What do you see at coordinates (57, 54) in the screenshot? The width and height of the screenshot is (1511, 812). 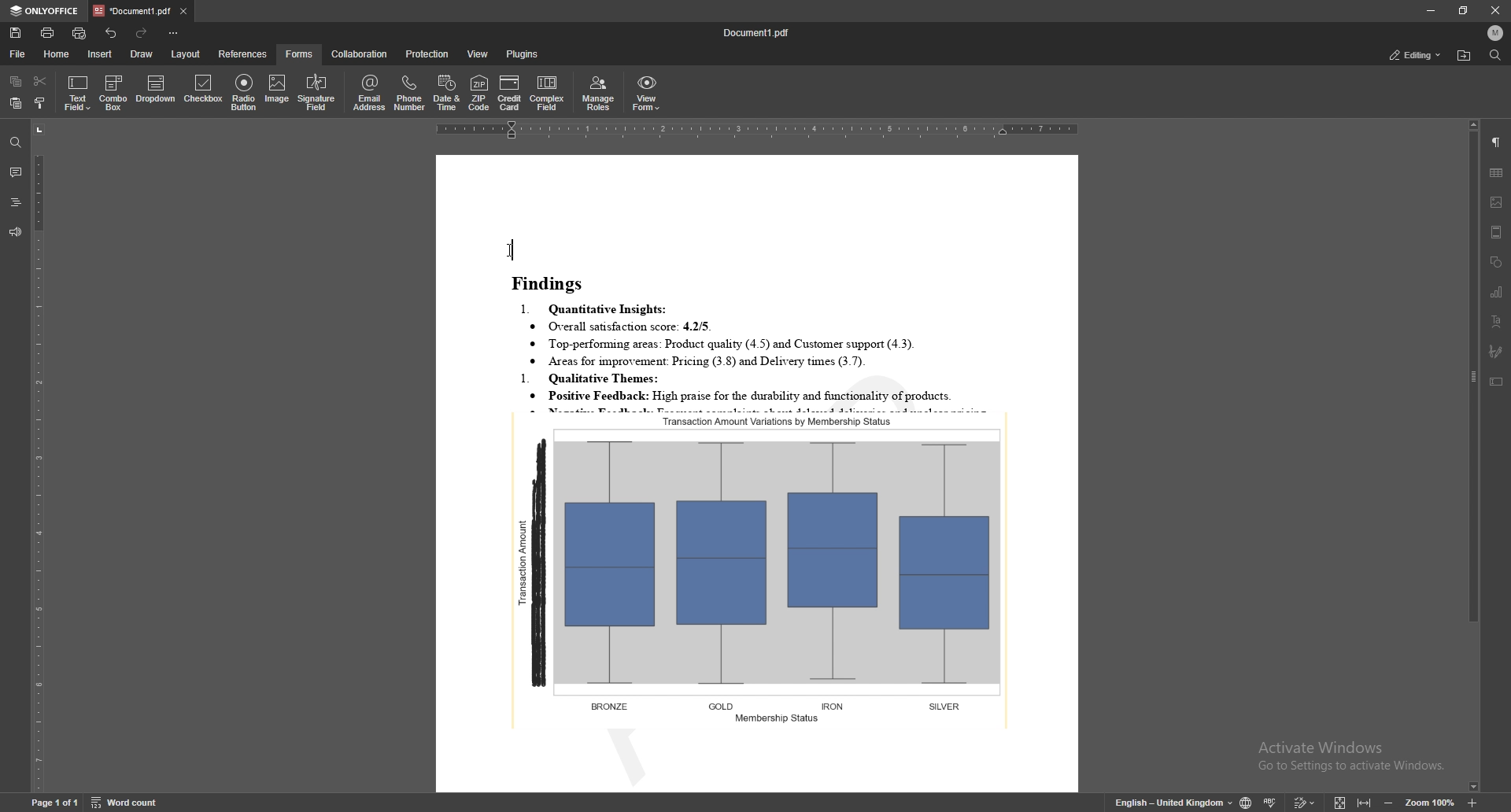 I see `home` at bounding box center [57, 54].